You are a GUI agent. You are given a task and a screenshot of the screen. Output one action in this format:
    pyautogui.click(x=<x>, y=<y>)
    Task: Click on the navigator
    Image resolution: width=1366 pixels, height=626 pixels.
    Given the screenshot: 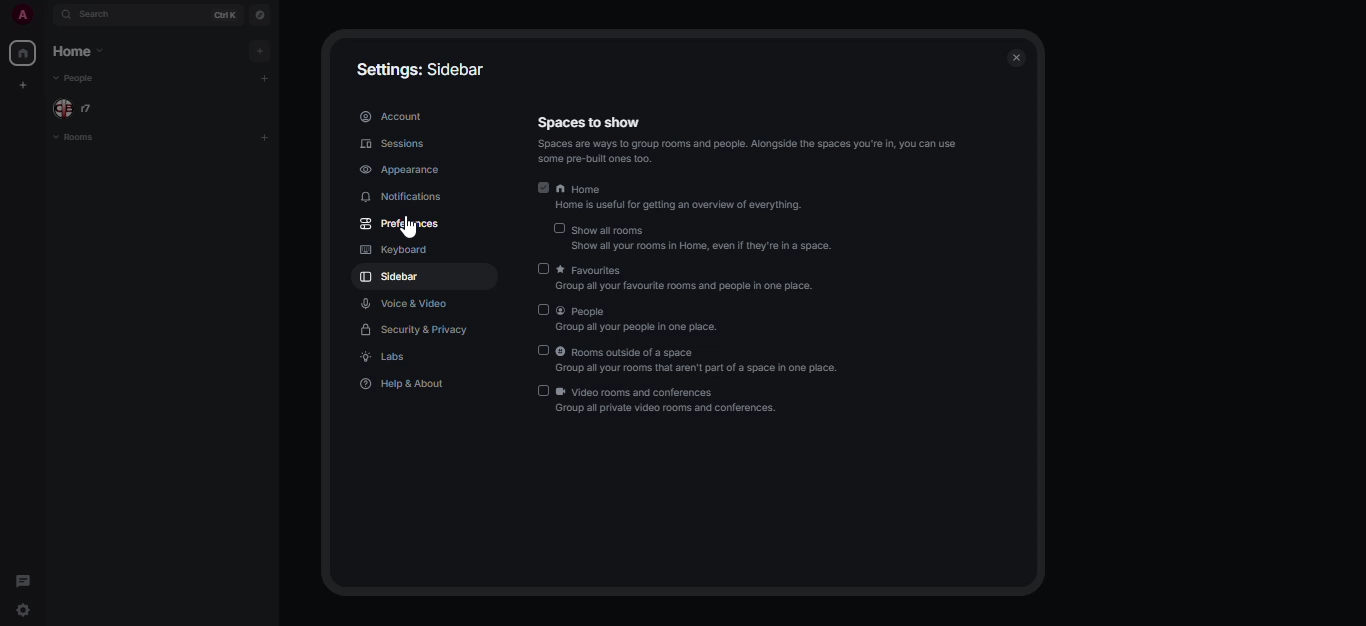 What is the action you would take?
    pyautogui.click(x=262, y=14)
    